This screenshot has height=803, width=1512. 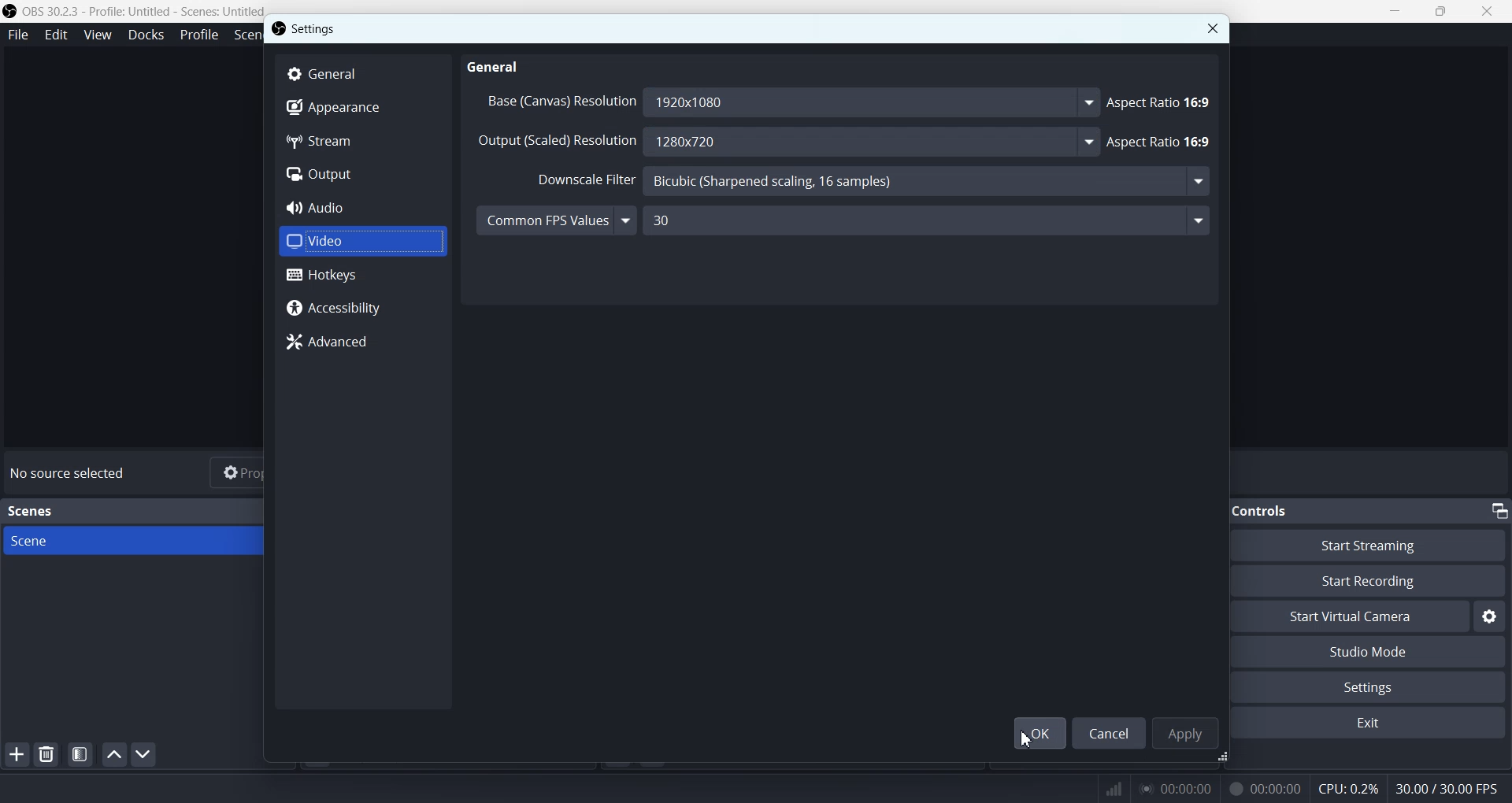 I want to click on General, so click(x=363, y=73).